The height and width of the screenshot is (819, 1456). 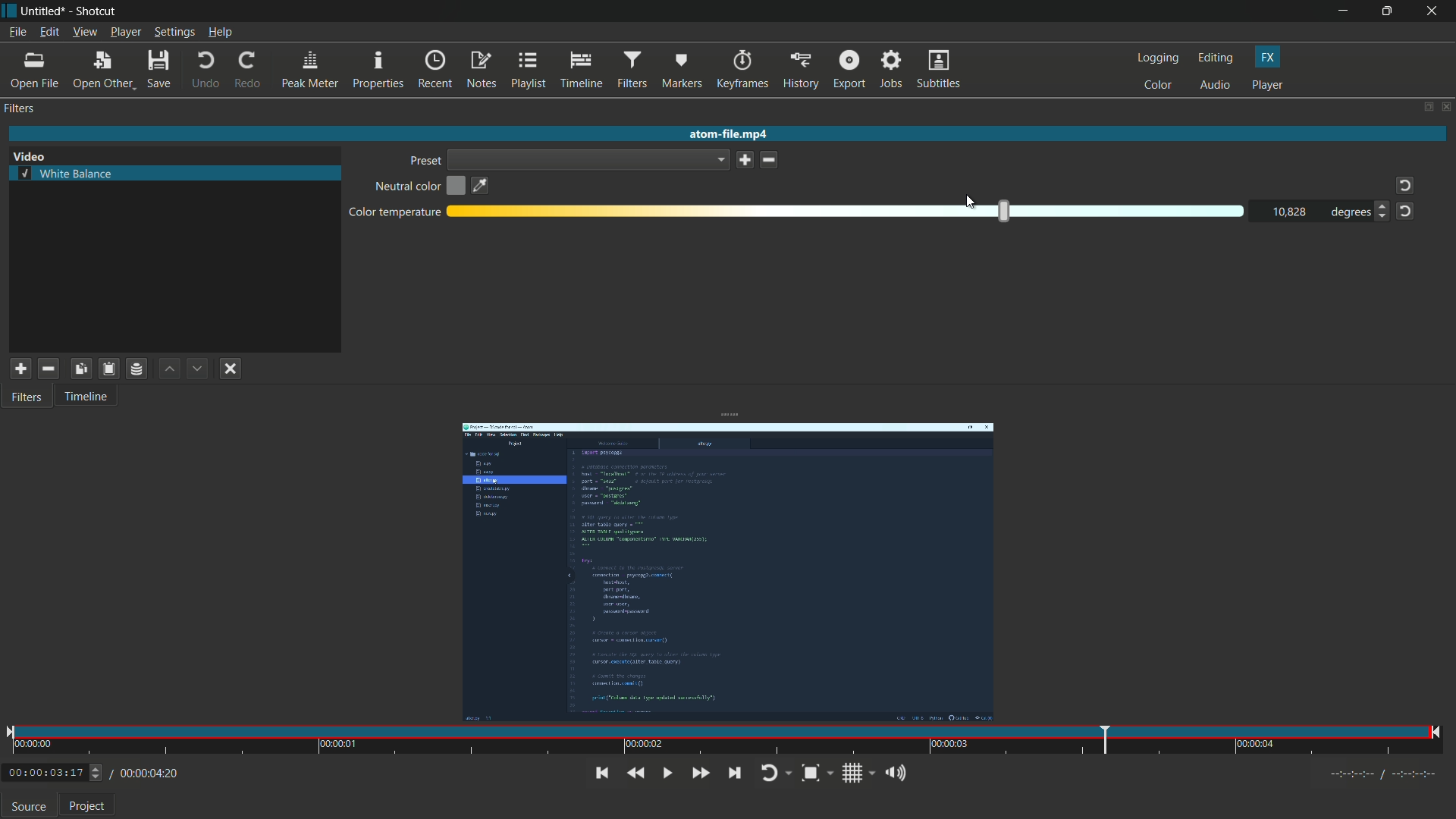 What do you see at coordinates (21, 110) in the screenshot?
I see `filters` at bounding box center [21, 110].